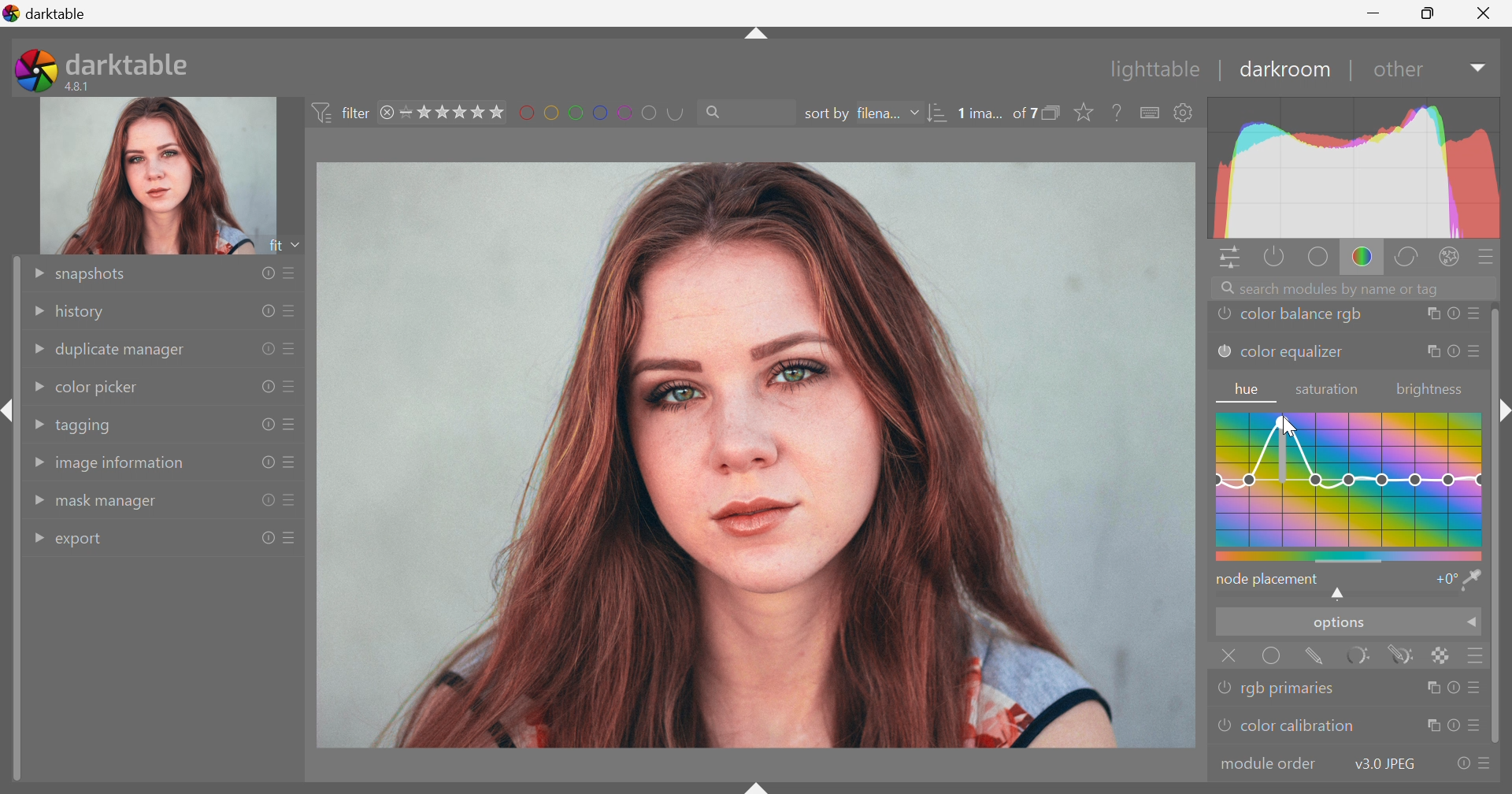  Describe the element at coordinates (1453, 315) in the screenshot. I see `reset` at that location.